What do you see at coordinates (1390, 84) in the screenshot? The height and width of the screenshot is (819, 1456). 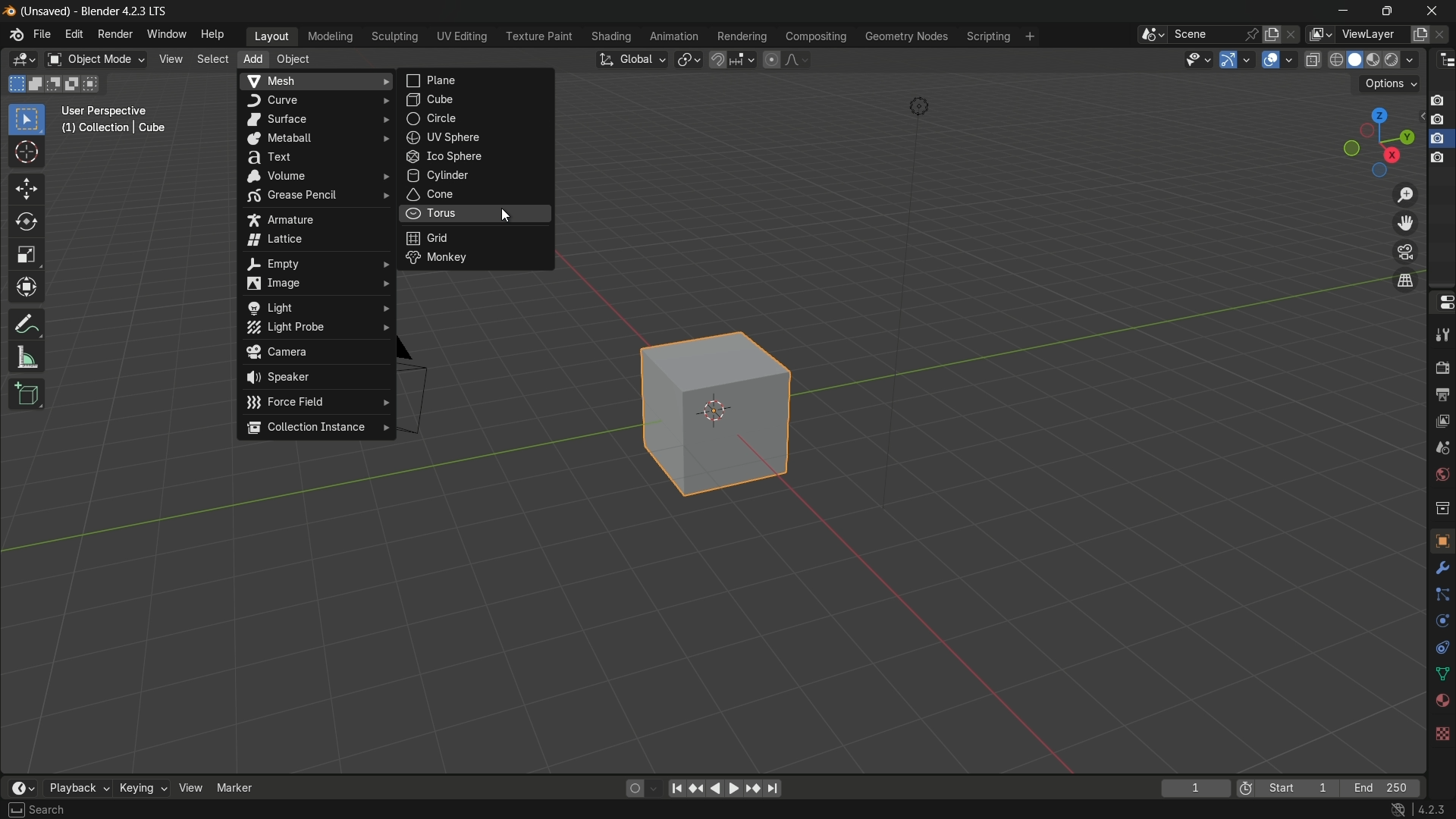 I see `options` at bounding box center [1390, 84].